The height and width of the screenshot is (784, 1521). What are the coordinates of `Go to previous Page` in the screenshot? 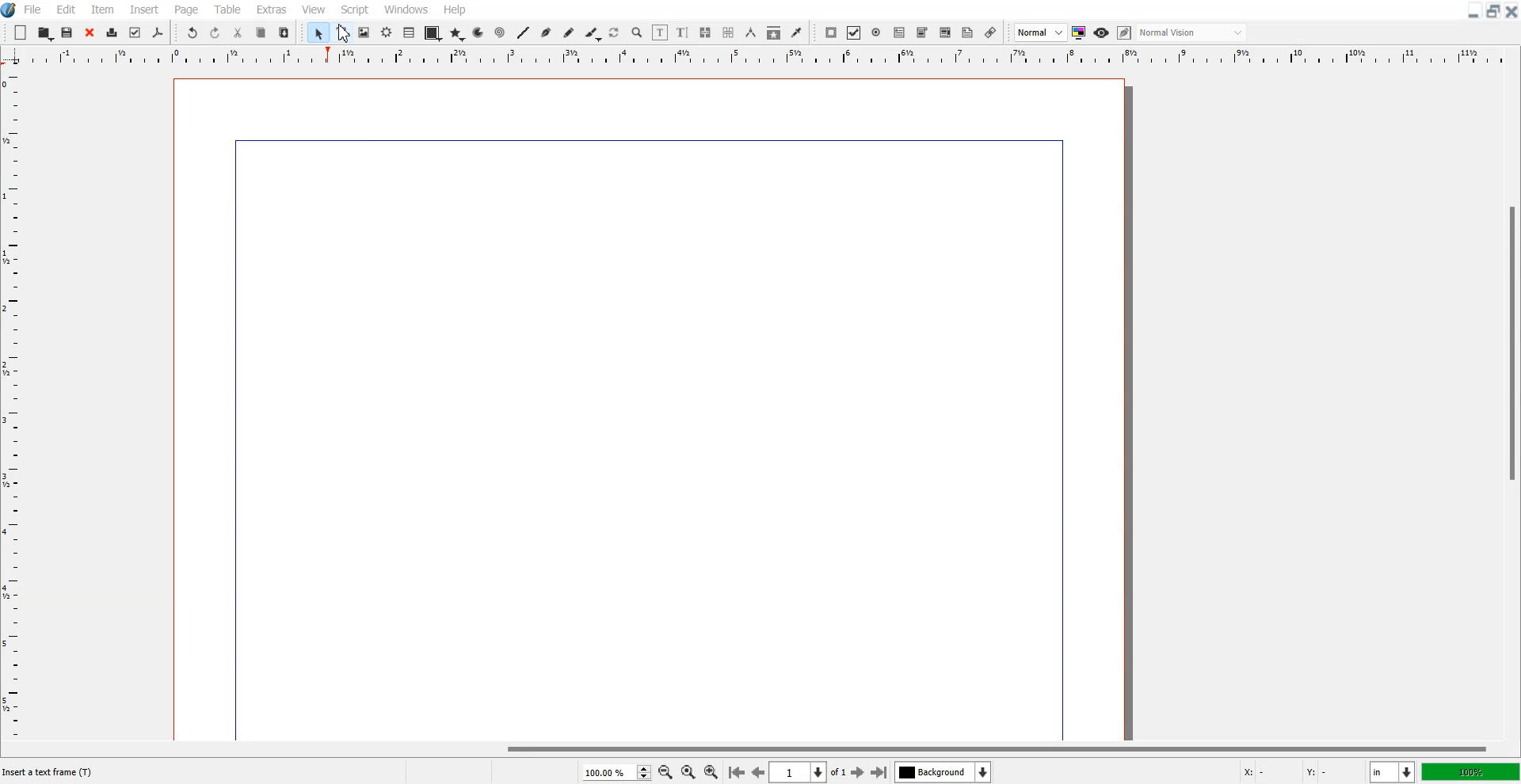 It's located at (759, 771).